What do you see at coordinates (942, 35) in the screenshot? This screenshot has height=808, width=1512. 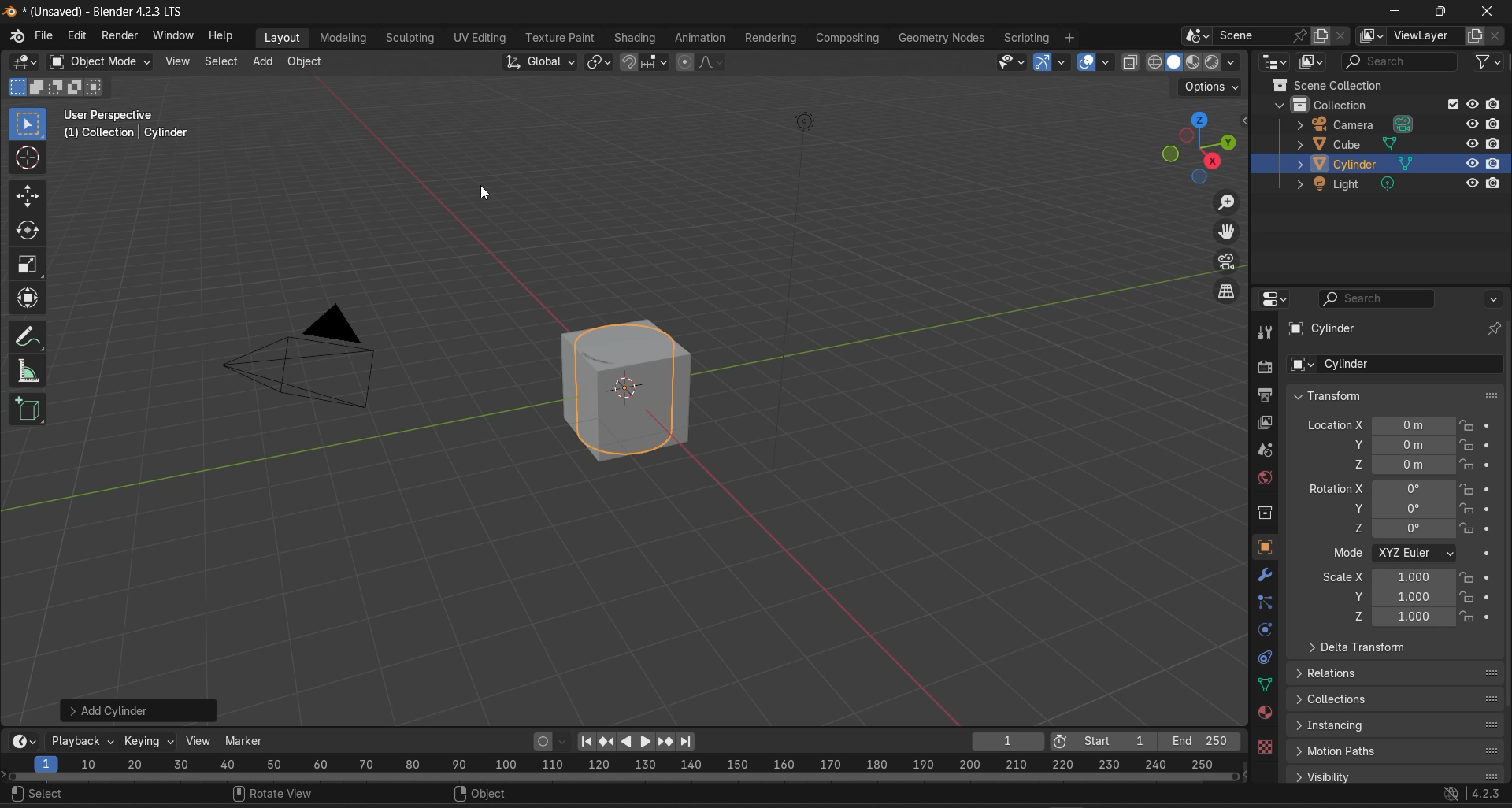 I see `geometry nodes` at bounding box center [942, 35].